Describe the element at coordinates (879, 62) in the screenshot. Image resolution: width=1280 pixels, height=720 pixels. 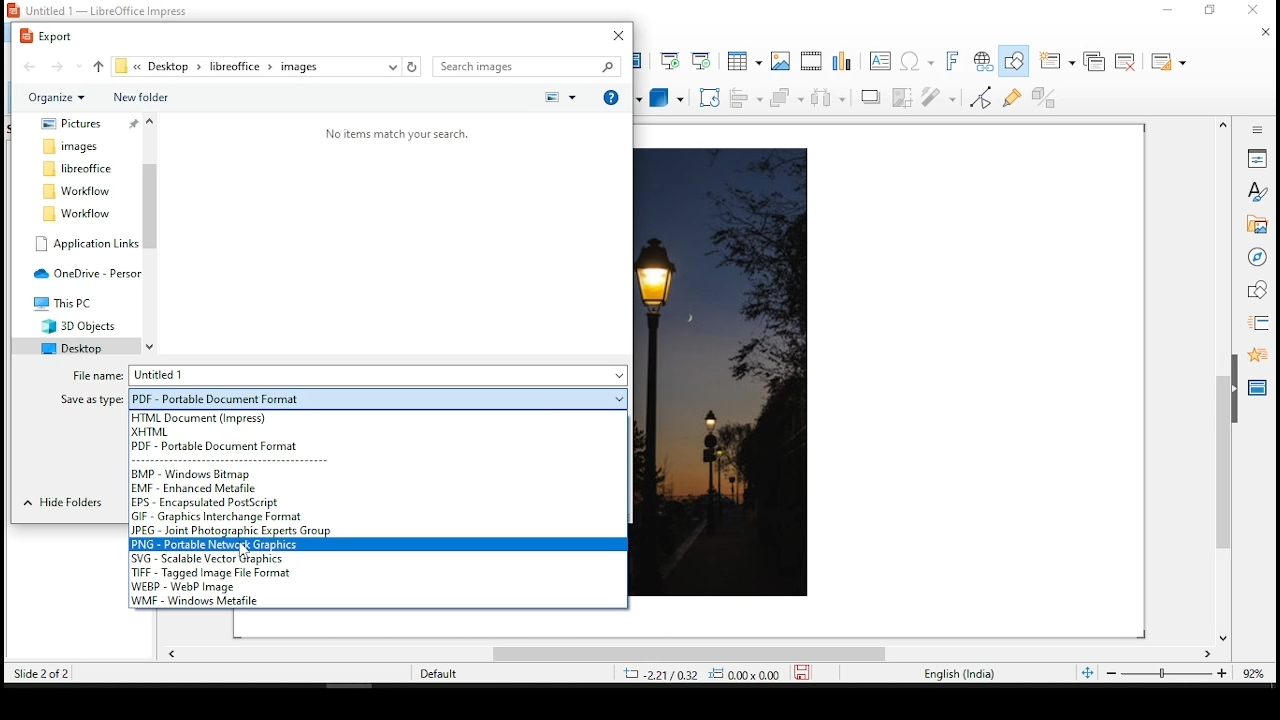
I see `text box` at that location.